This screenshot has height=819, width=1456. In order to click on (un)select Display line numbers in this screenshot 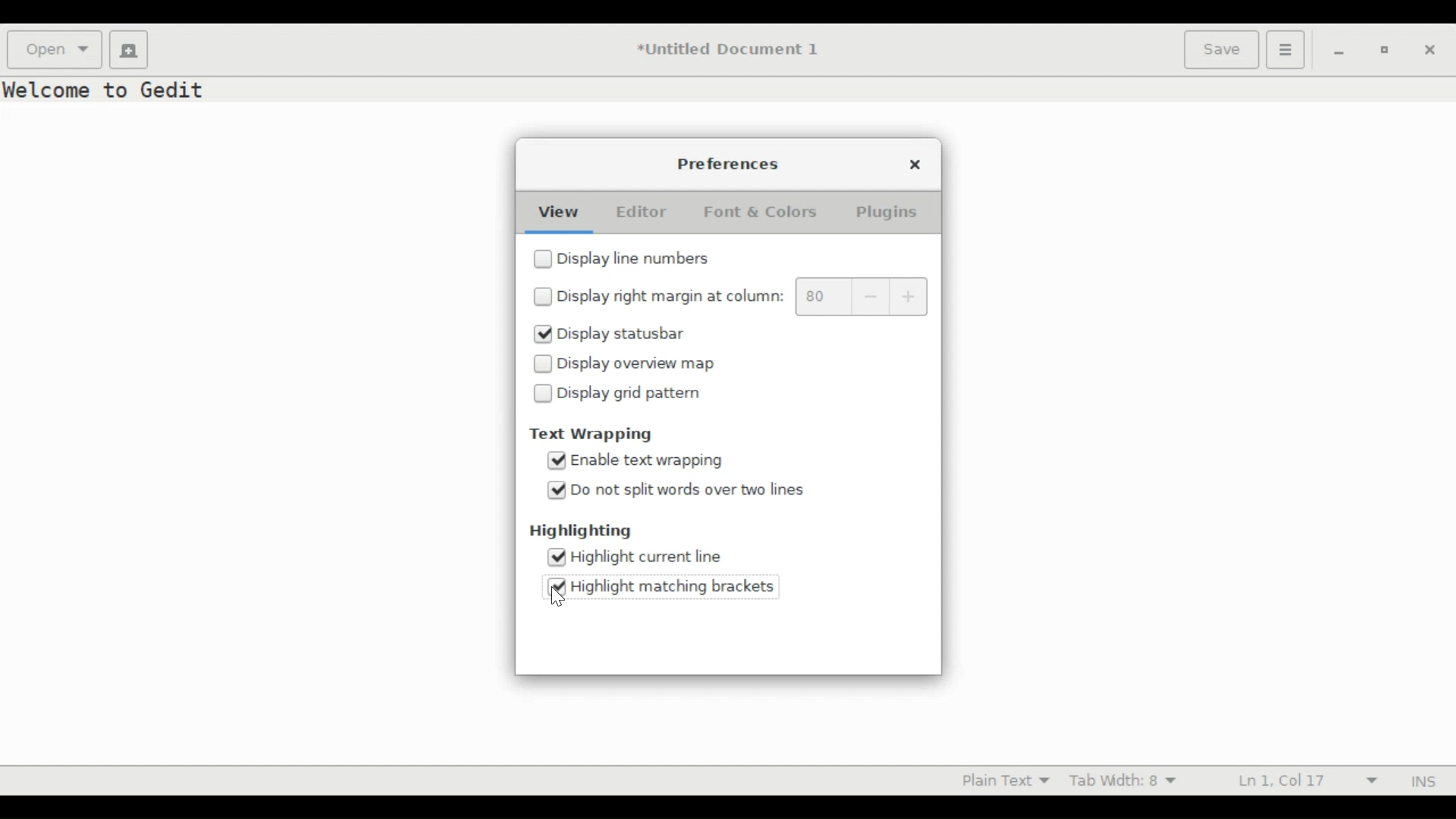, I will do `click(644, 260)`.